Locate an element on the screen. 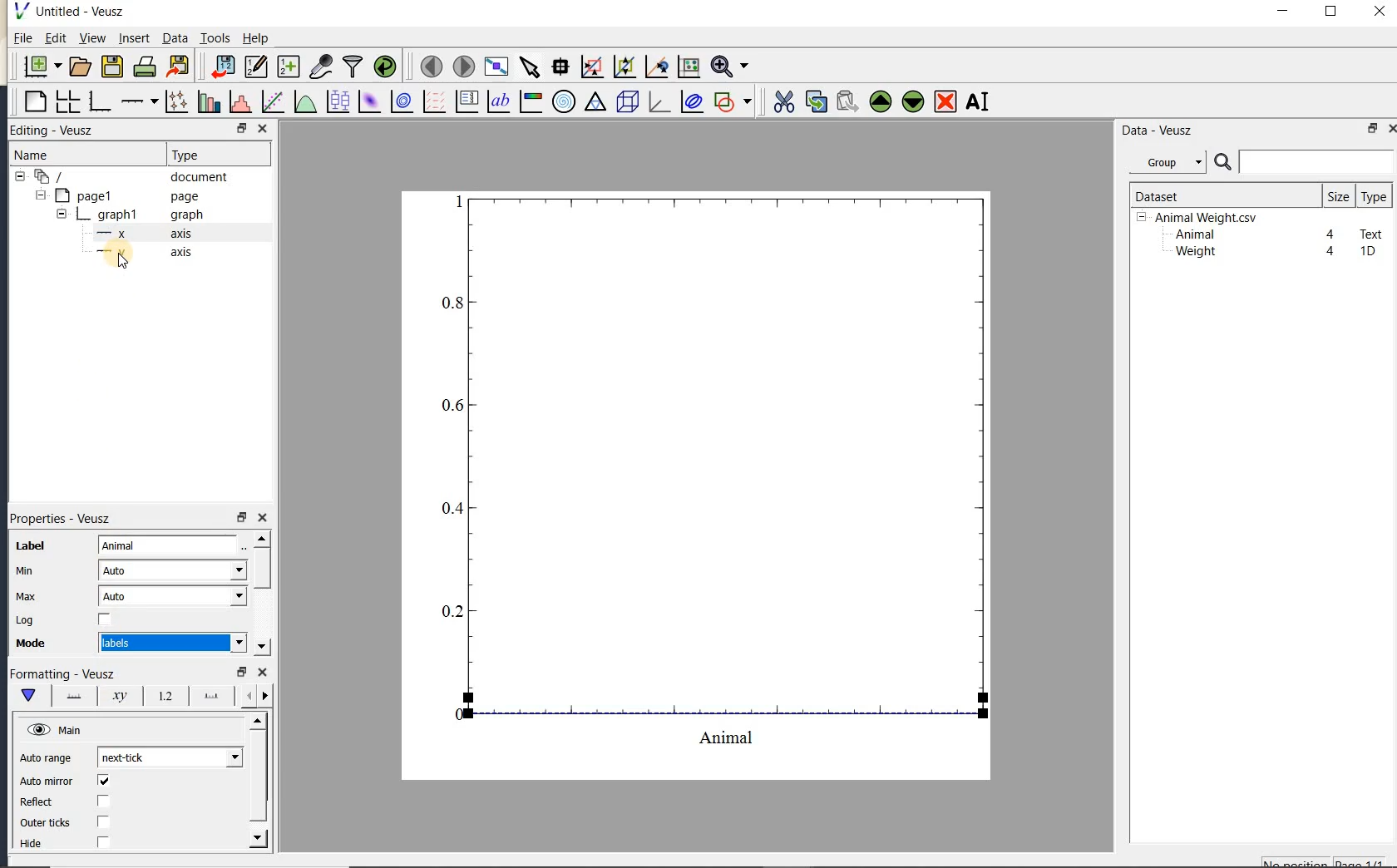 Image resolution: width=1397 pixels, height=868 pixels. print the document is located at coordinates (145, 67).